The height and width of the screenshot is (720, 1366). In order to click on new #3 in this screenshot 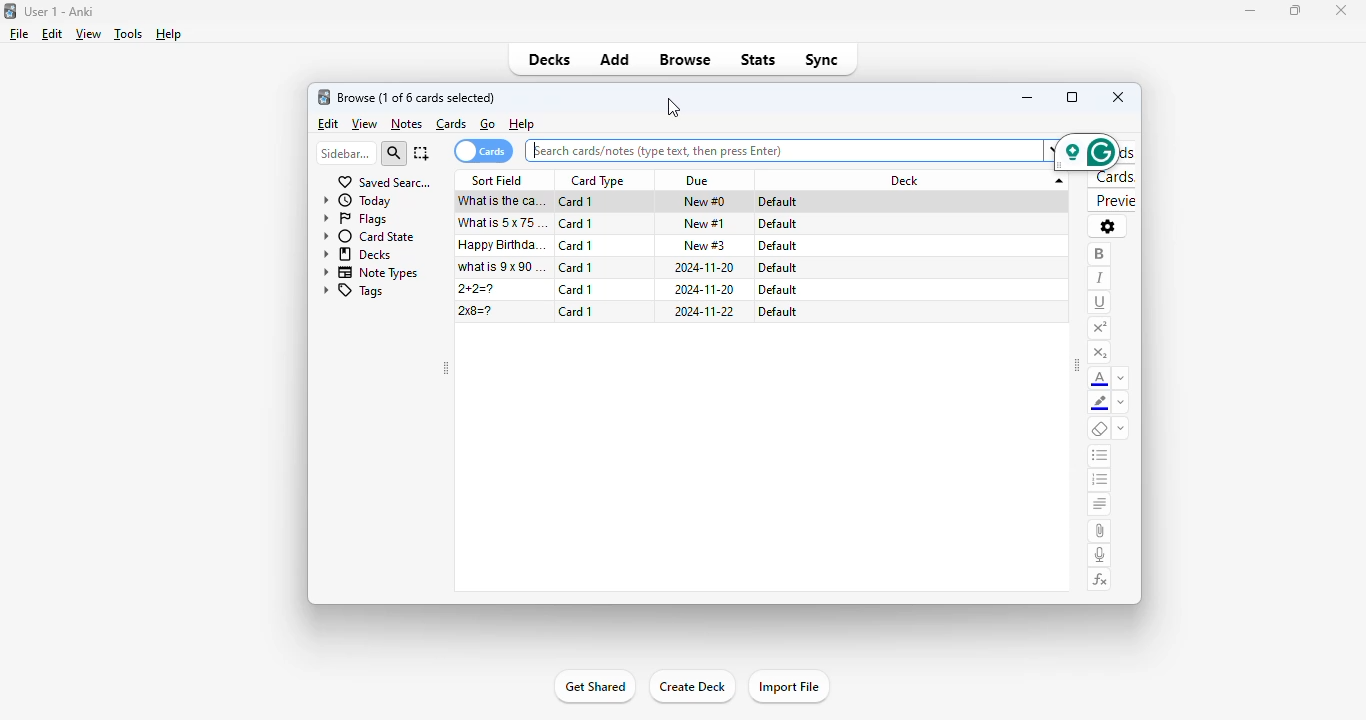, I will do `click(704, 245)`.